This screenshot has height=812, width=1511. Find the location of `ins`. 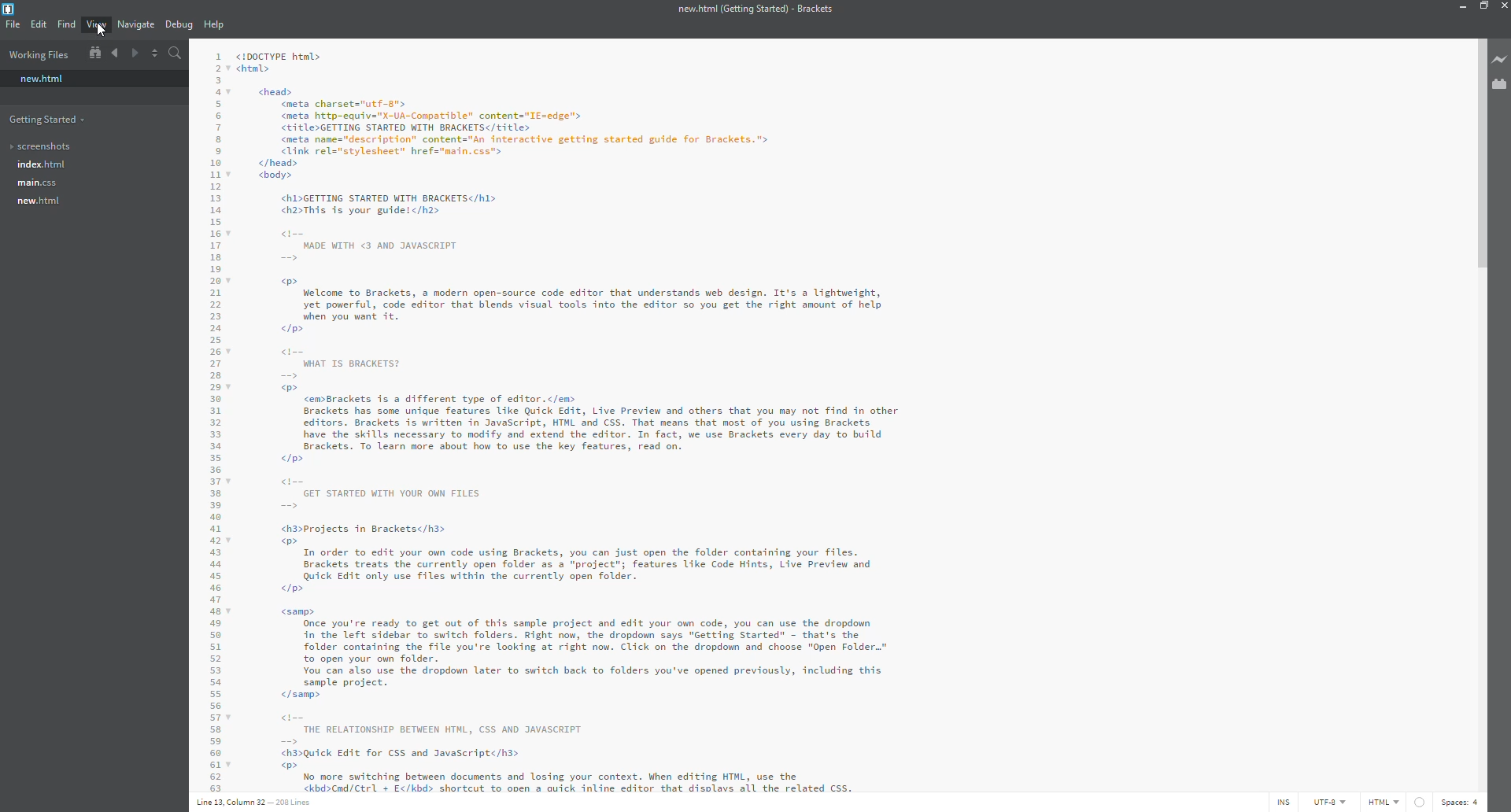

ins is located at coordinates (1285, 802).